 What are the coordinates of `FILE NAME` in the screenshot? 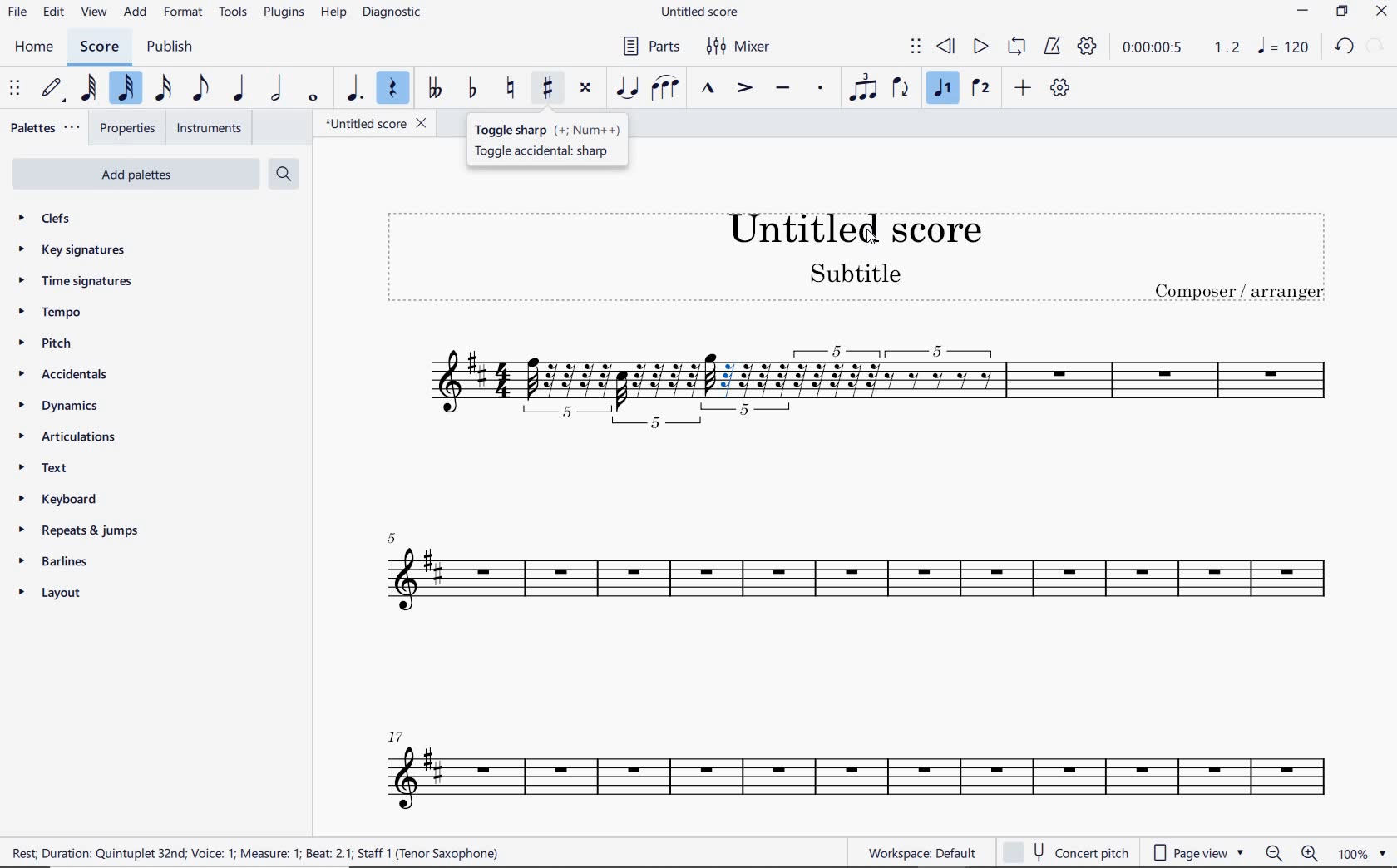 It's located at (371, 123).